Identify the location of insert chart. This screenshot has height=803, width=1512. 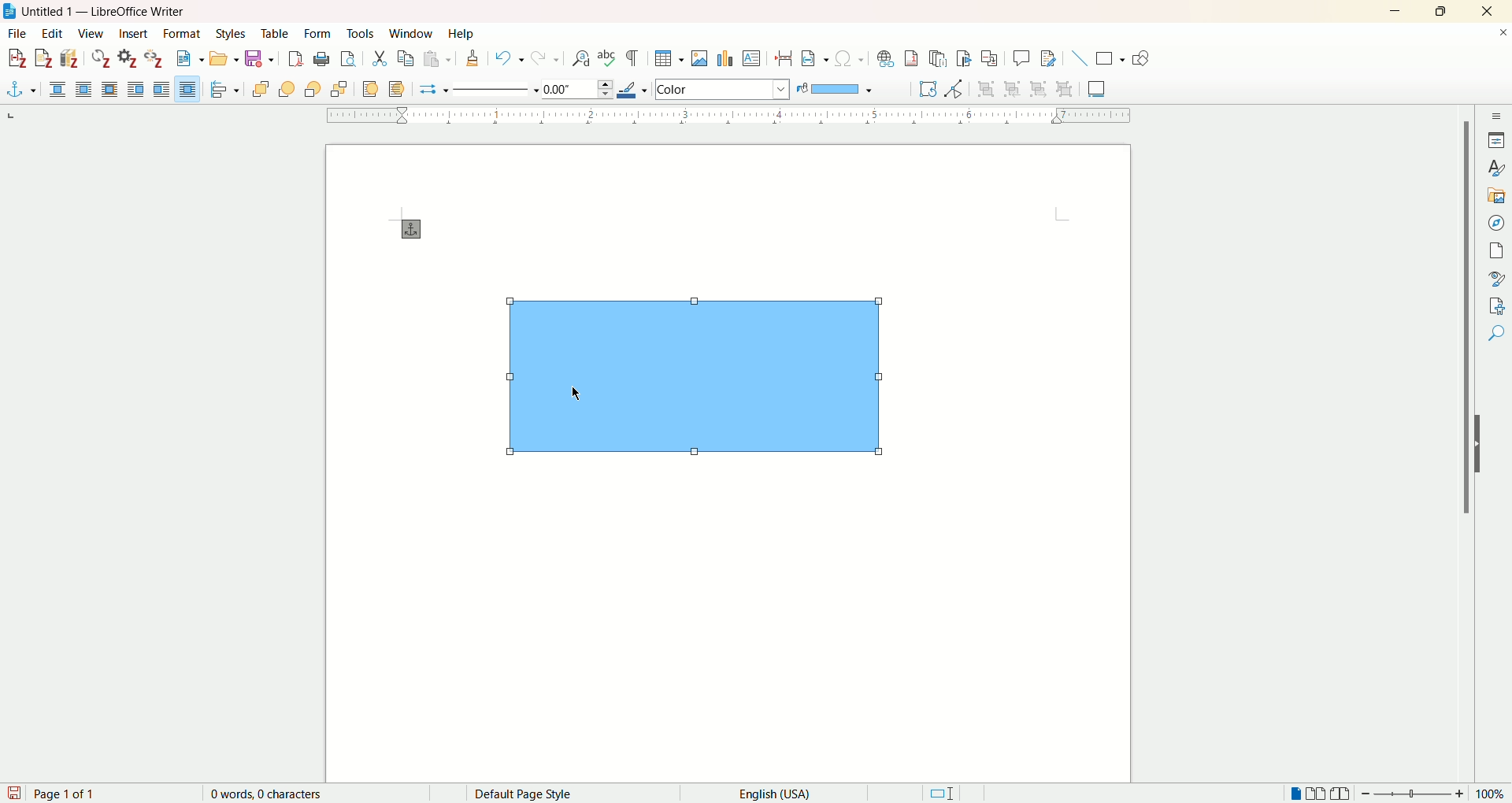
(726, 60).